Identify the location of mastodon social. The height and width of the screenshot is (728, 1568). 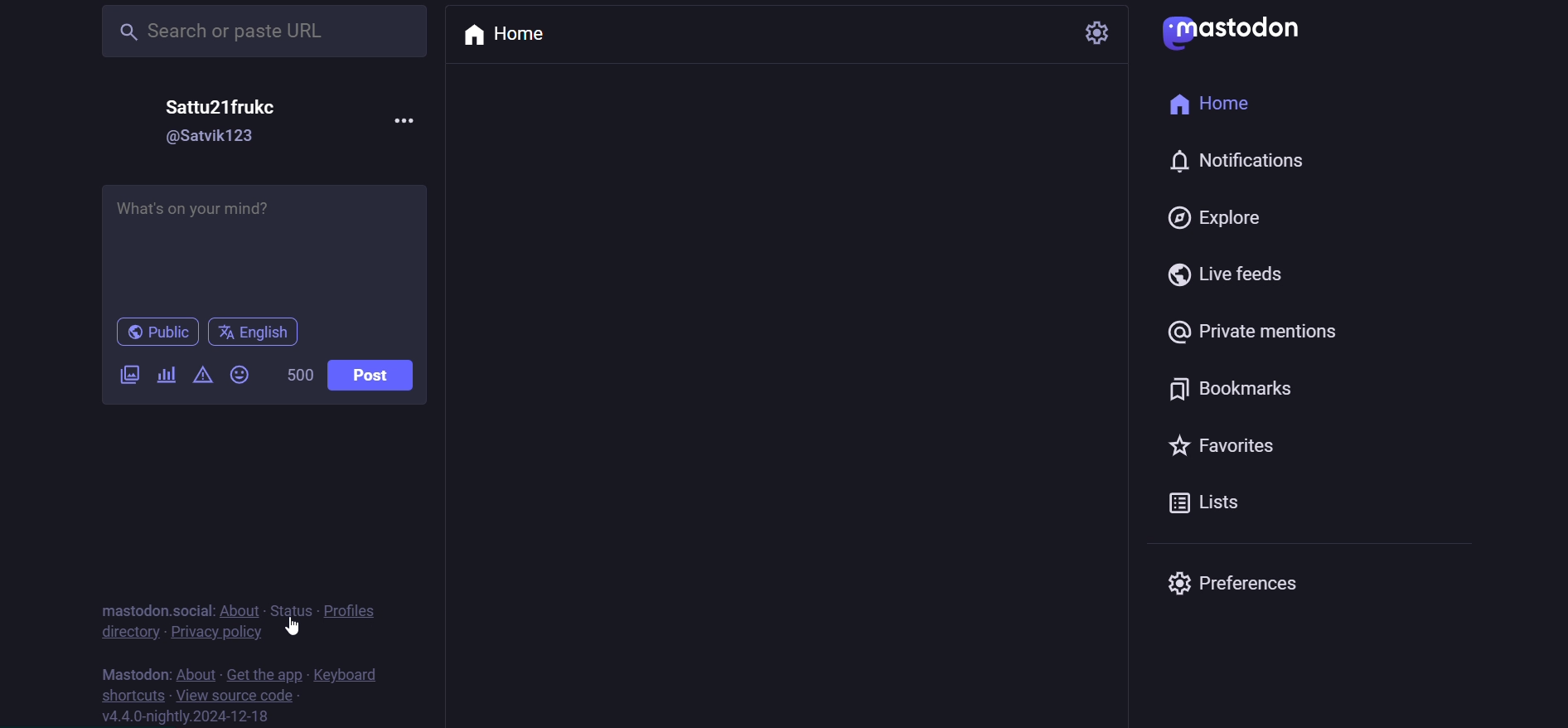
(156, 606).